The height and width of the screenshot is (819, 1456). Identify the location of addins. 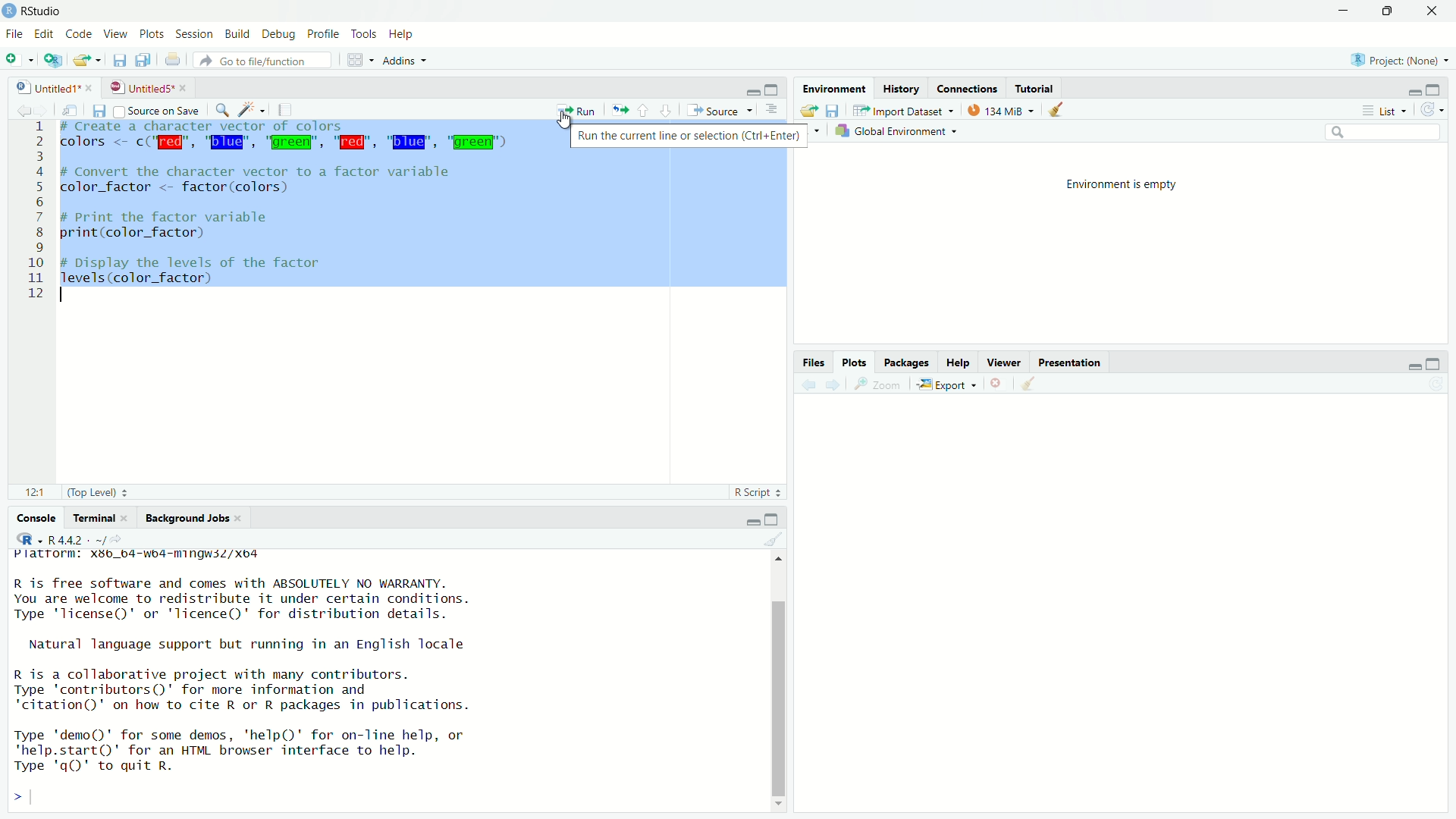
(406, 61).